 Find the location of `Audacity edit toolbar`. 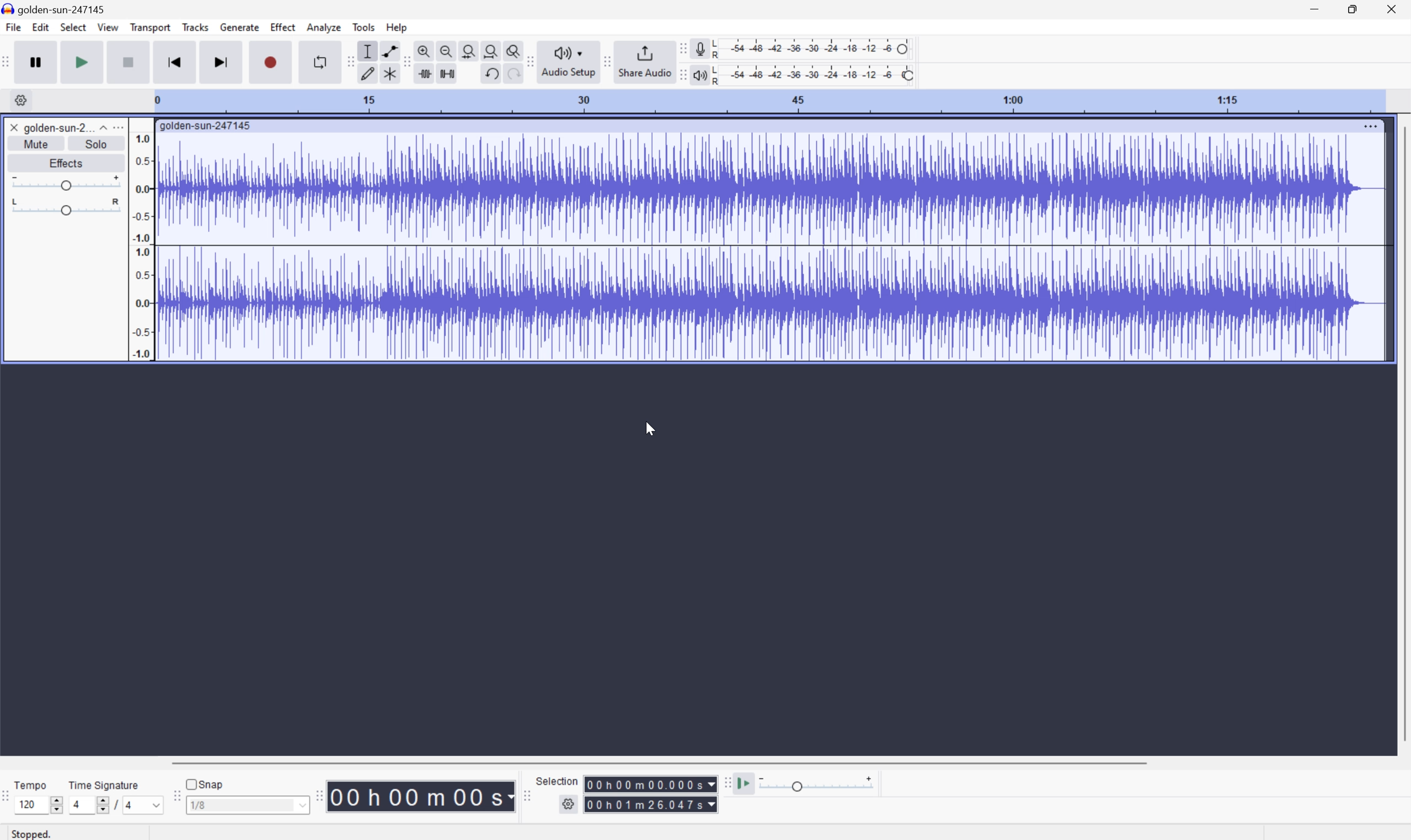

Audacity edit toolbar is located at coordinates (406, 63).